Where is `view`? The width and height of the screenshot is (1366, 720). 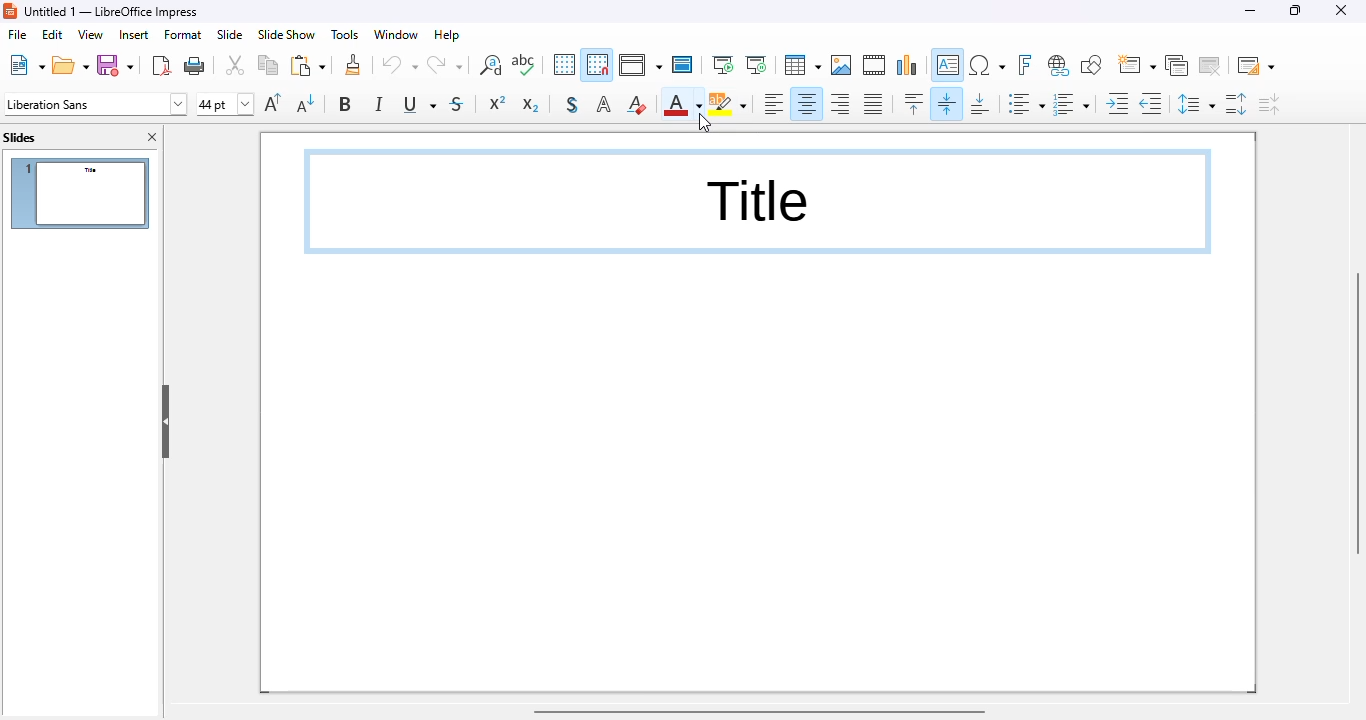 view is located at coordinates (90, 34).